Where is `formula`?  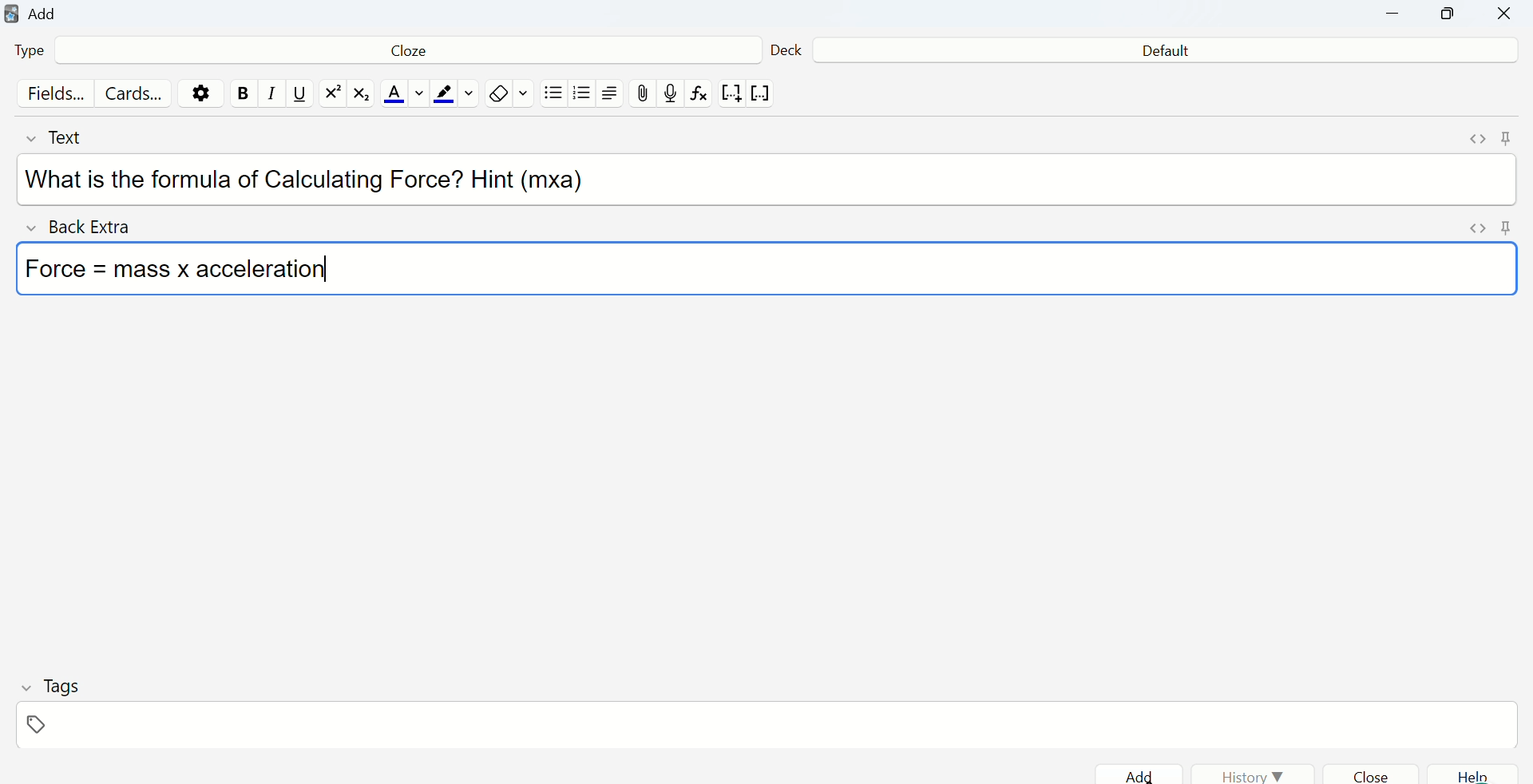
formula is located at coordinates (701, 97).